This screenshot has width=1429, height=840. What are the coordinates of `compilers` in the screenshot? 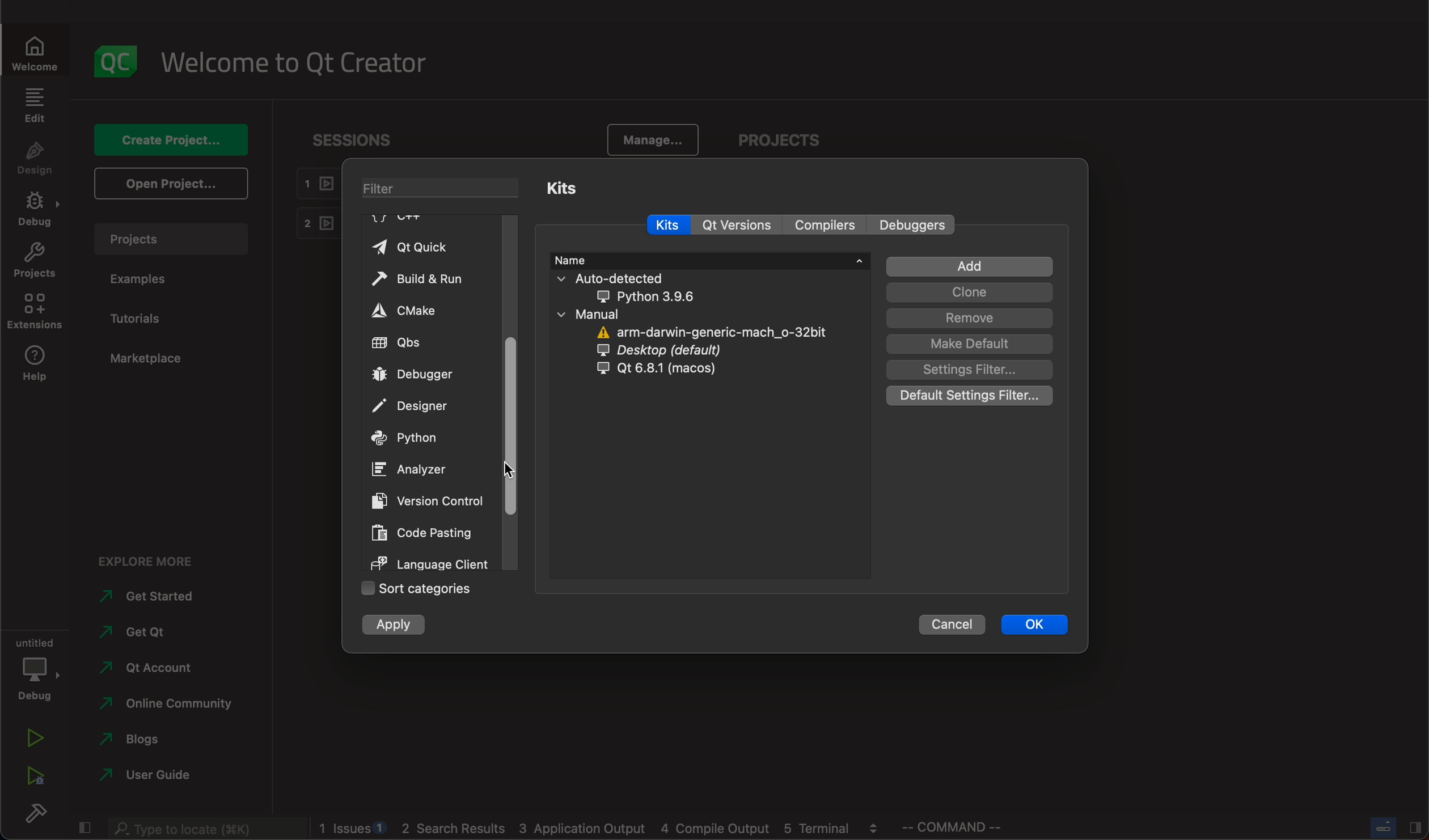 It's located at (821, 224).